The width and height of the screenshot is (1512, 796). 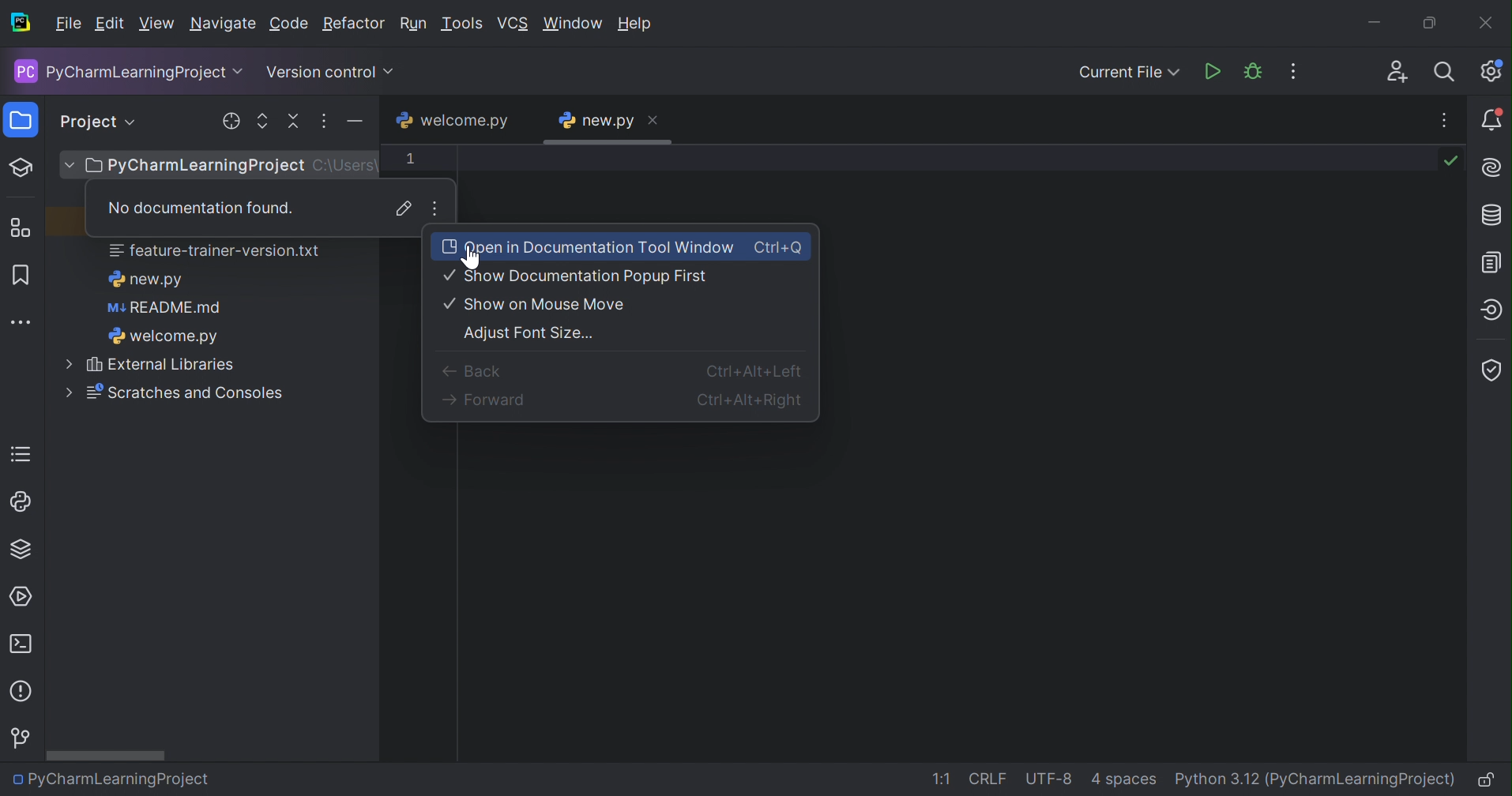 I want to click on Scratches and Consoles, so click(x=168, y=392).